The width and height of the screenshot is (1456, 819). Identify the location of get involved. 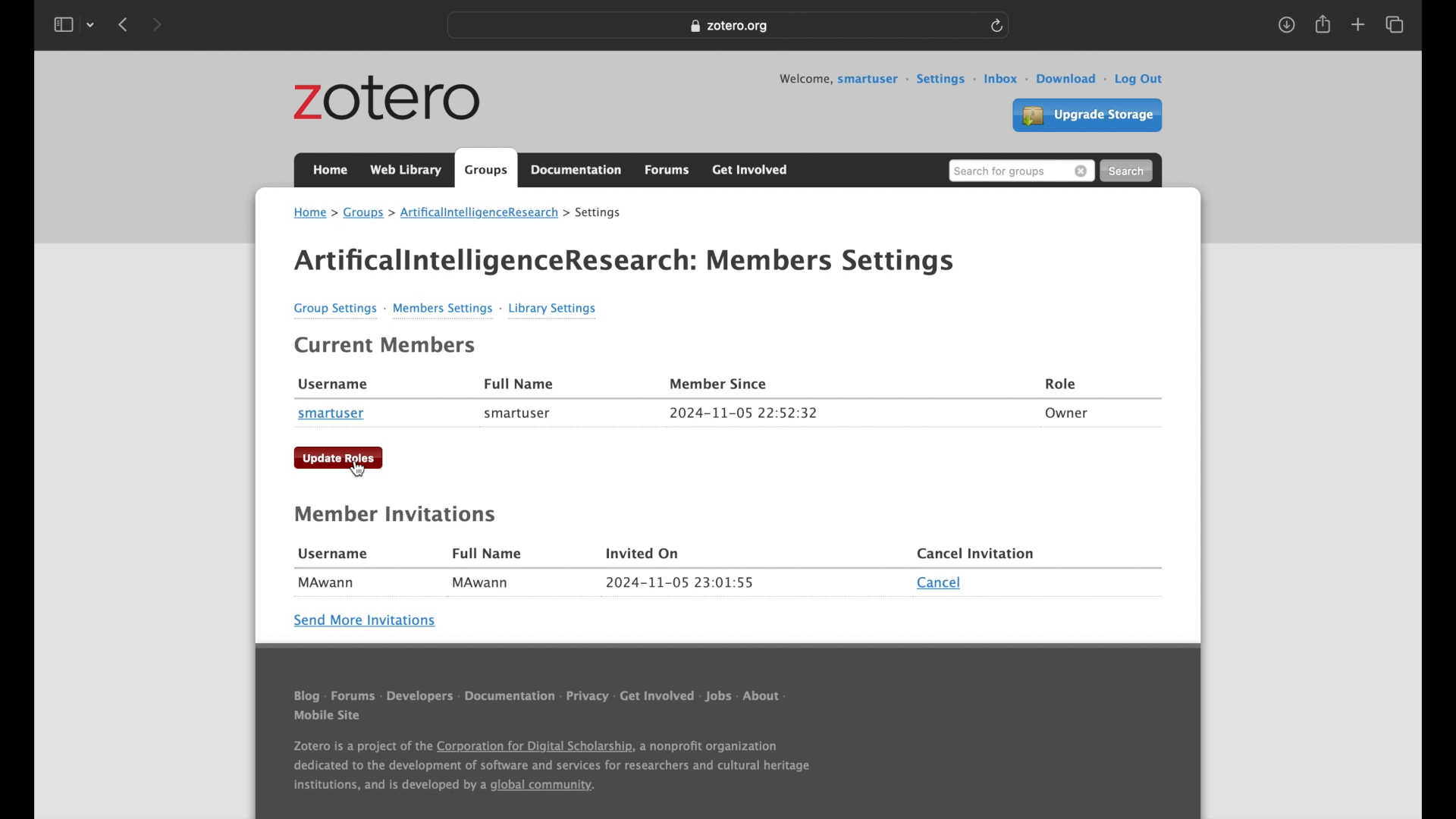
(751, 170).